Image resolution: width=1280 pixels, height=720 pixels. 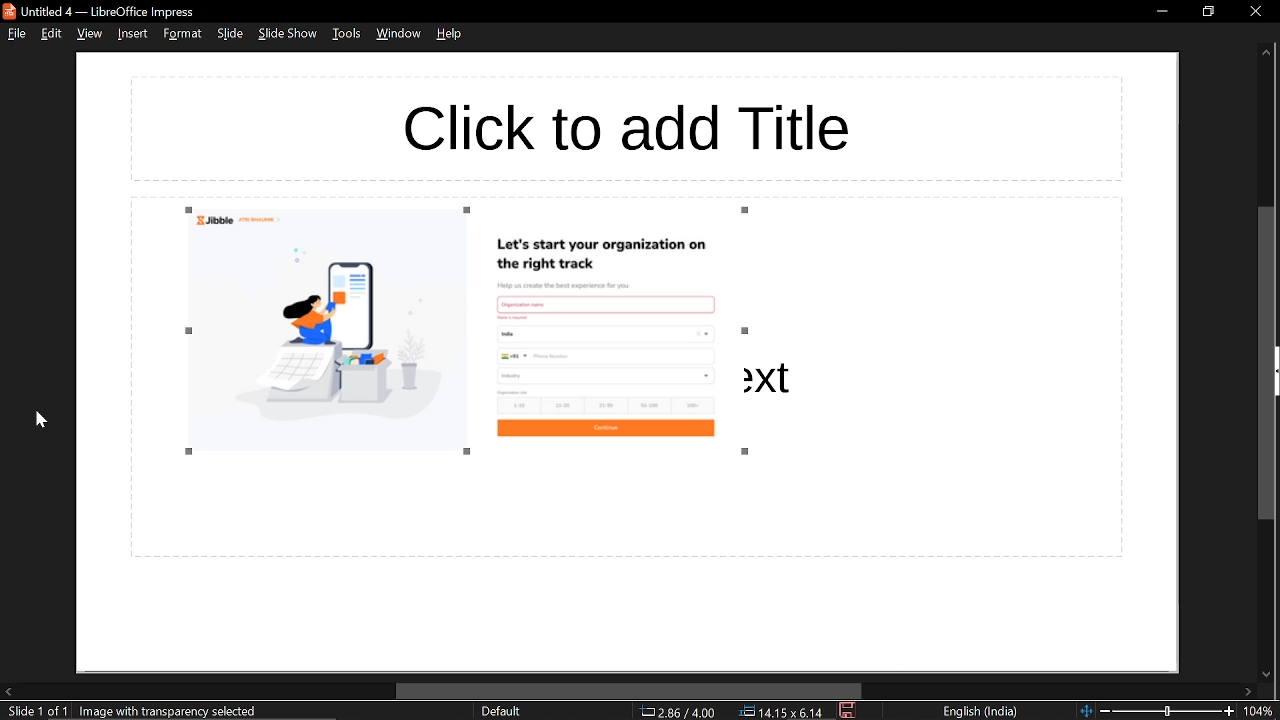 What do you see at coordinates (1264, 675) in the screenshot?
I see `move down` at bounding box center [1264, 675].